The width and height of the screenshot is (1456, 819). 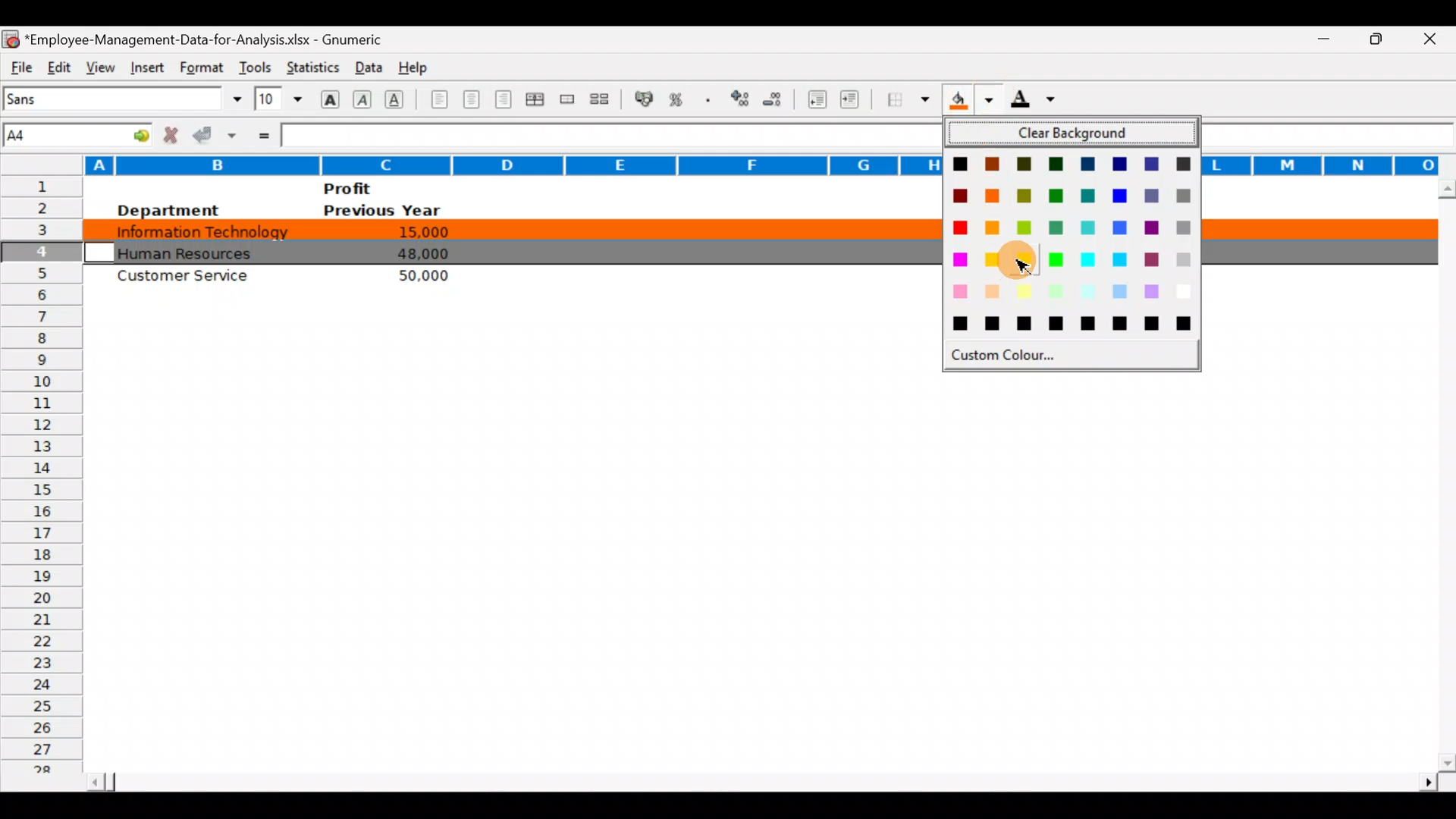 I want to click on Previous year, so click(x=382, y=211).